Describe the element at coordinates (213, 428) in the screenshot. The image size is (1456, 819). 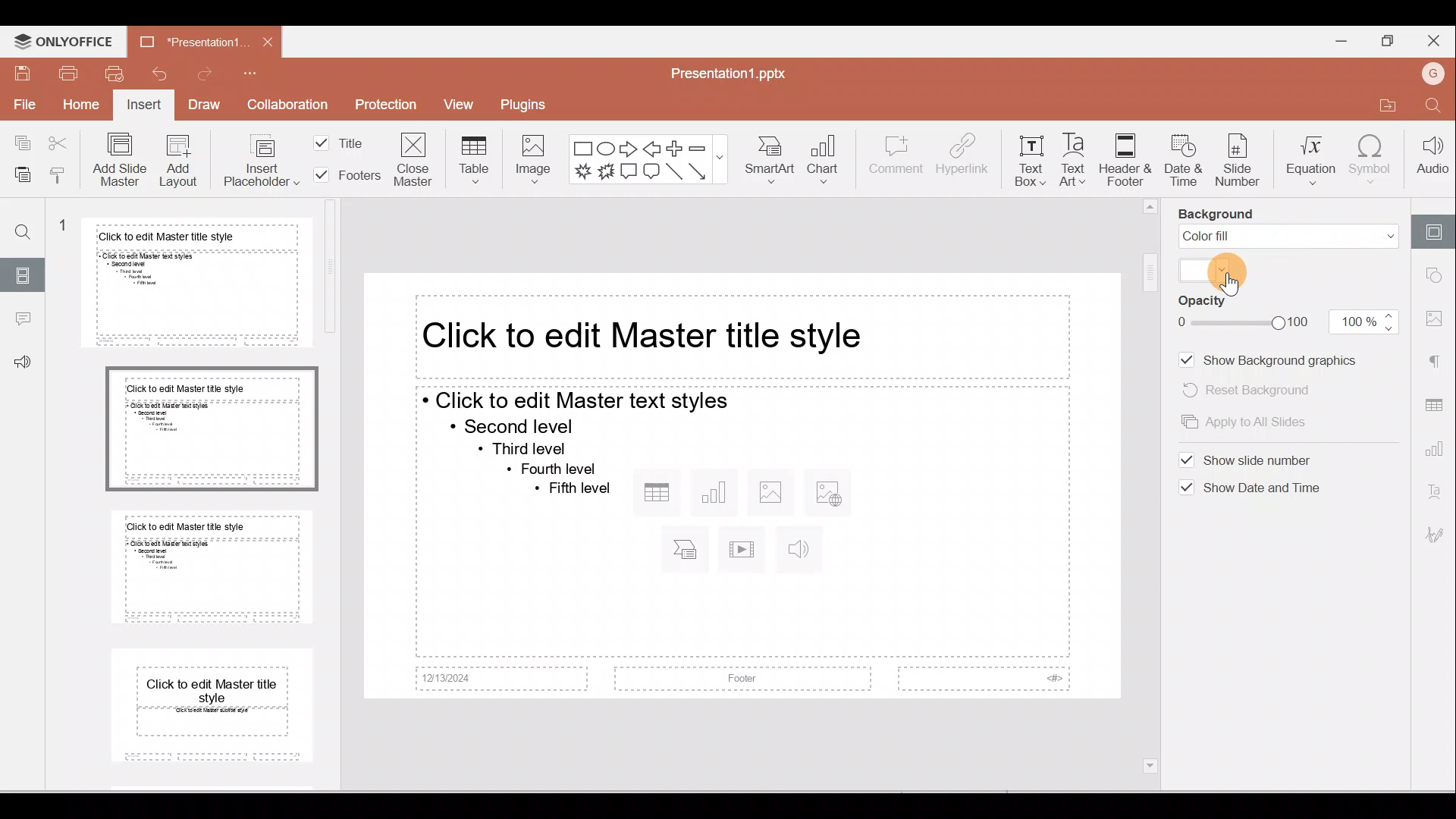
I see `Master slide 2` at that location.